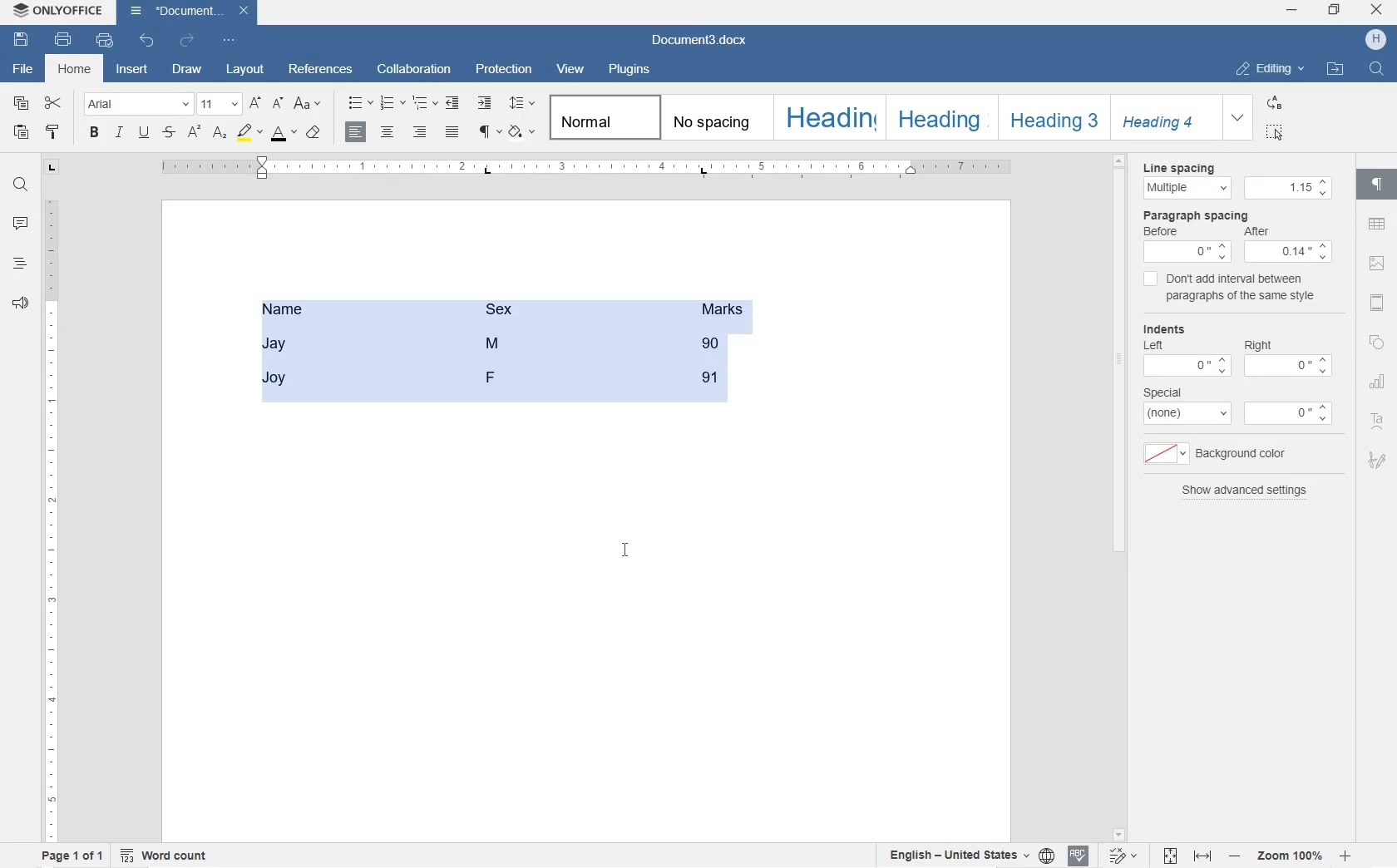 This screenshot has width=1397, height=868. What do you see at coordinates (1185, 856) in the screenshot?
I see `FIT TO PAGE OR WIDTH` at bounding box center [1185, 856].